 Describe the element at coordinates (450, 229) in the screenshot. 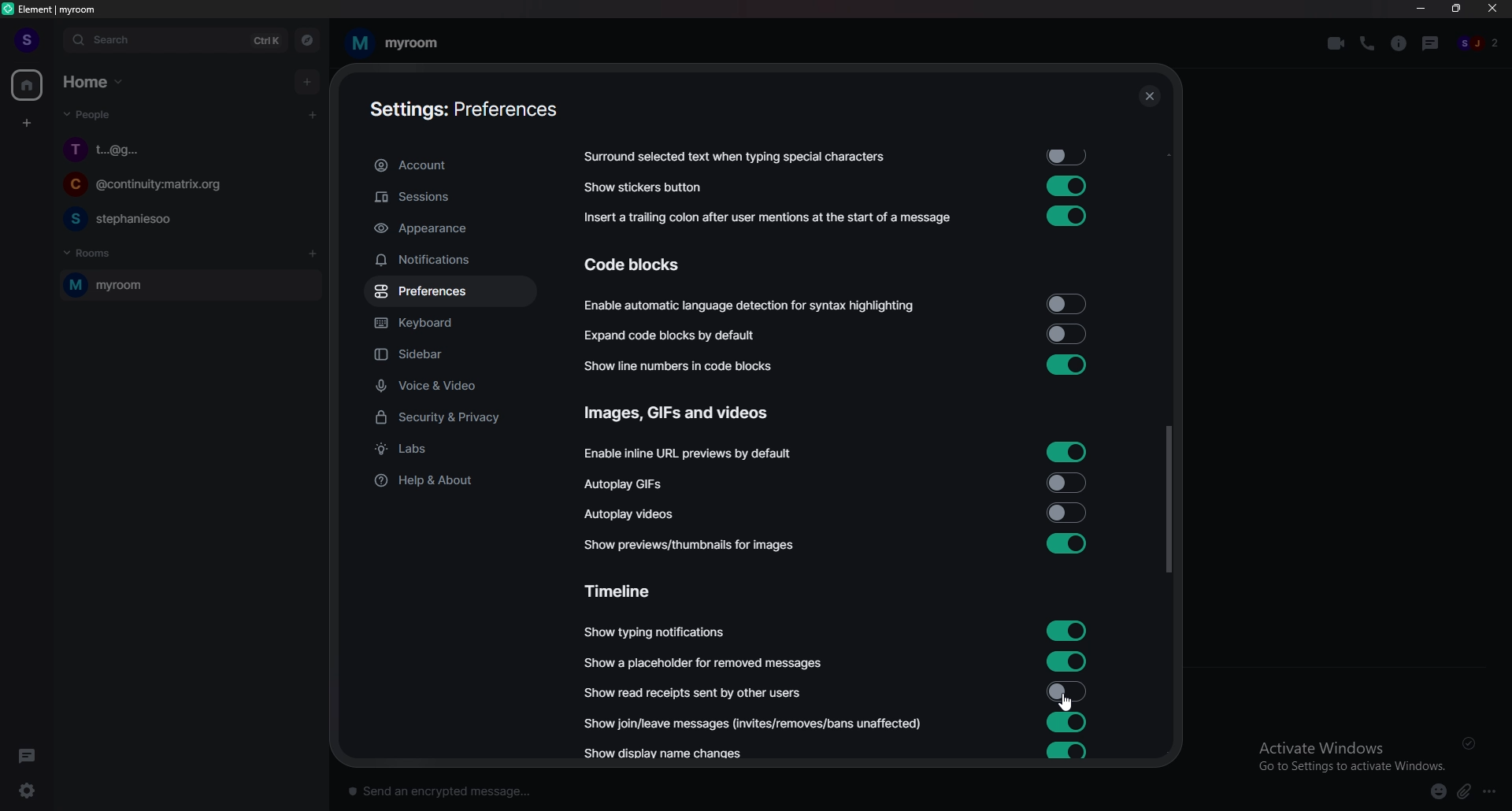

I see `appearance` at that location.